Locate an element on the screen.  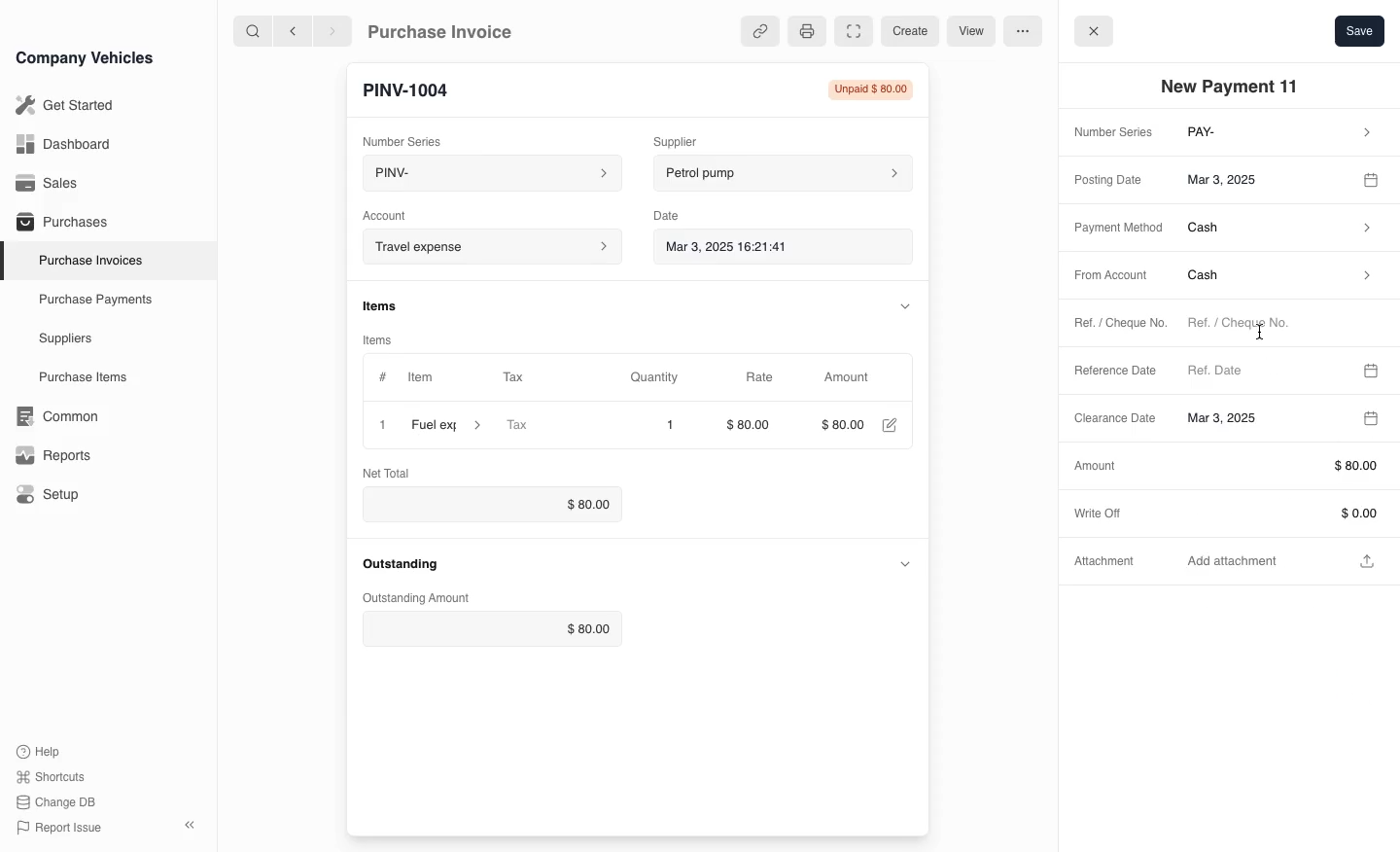
Suppliers is located at coordinates (64, 339).